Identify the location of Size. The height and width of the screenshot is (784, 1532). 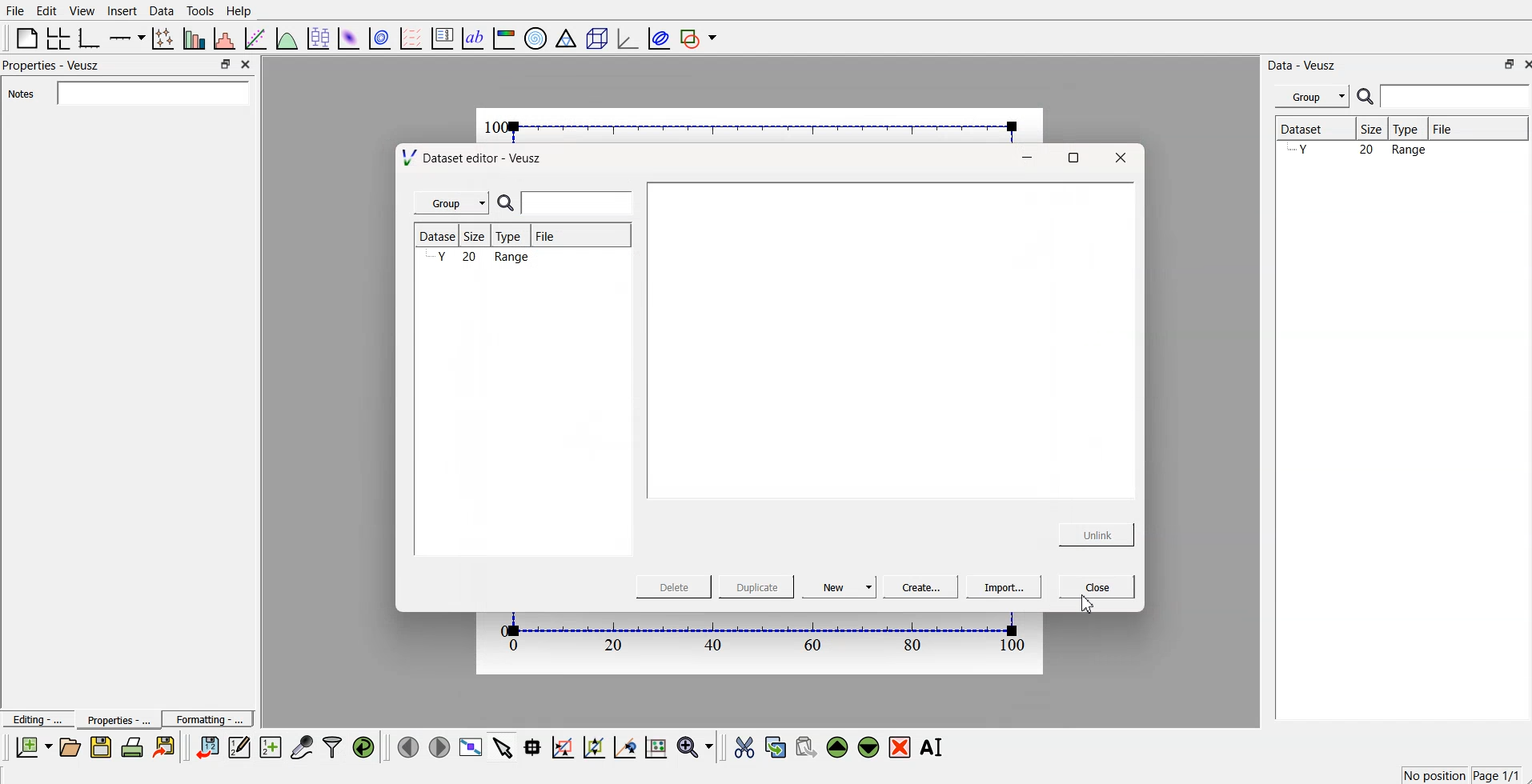
(478, 236).